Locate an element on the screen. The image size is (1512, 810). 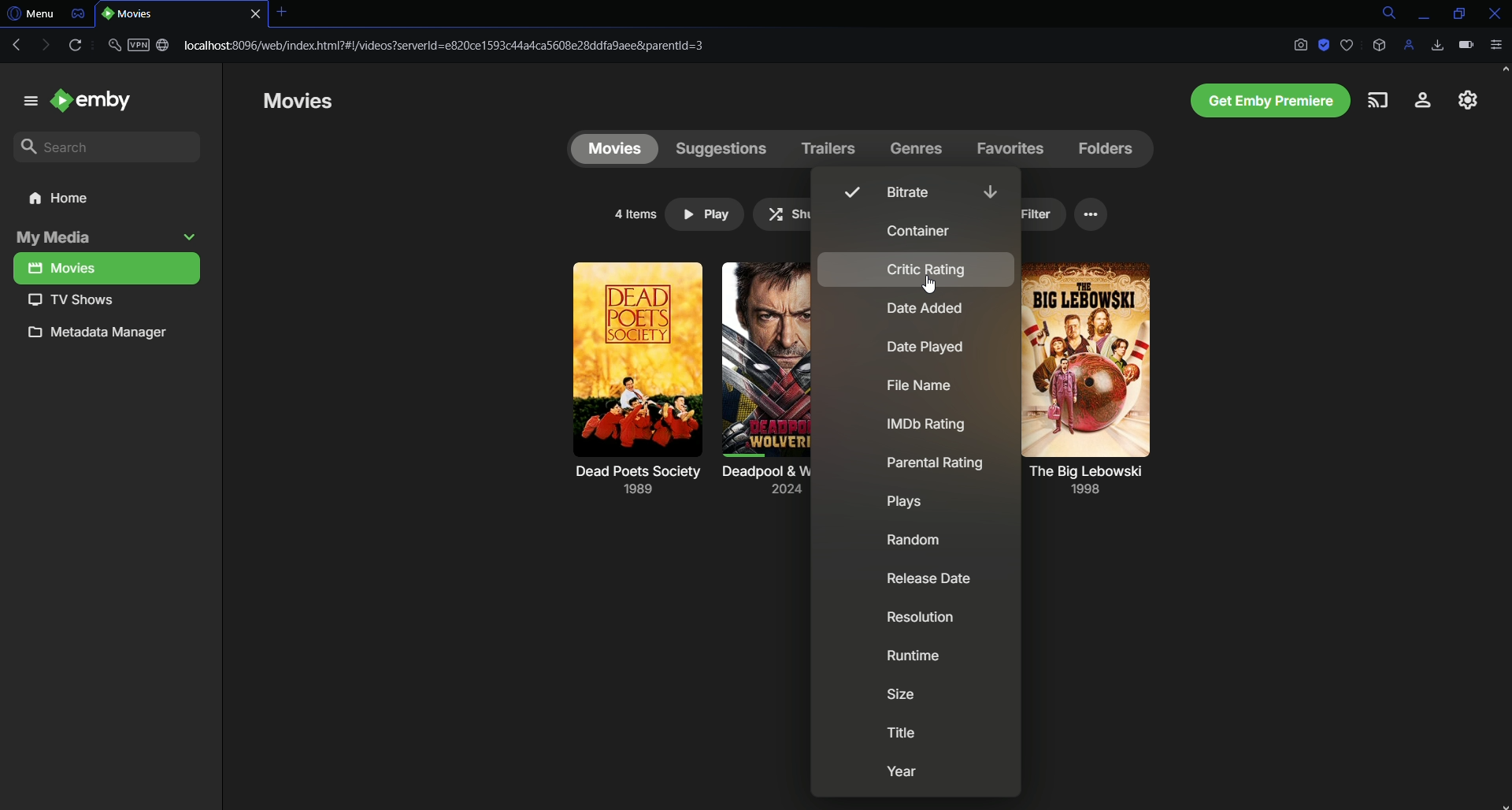
menu is located at coordinates (24, 100).